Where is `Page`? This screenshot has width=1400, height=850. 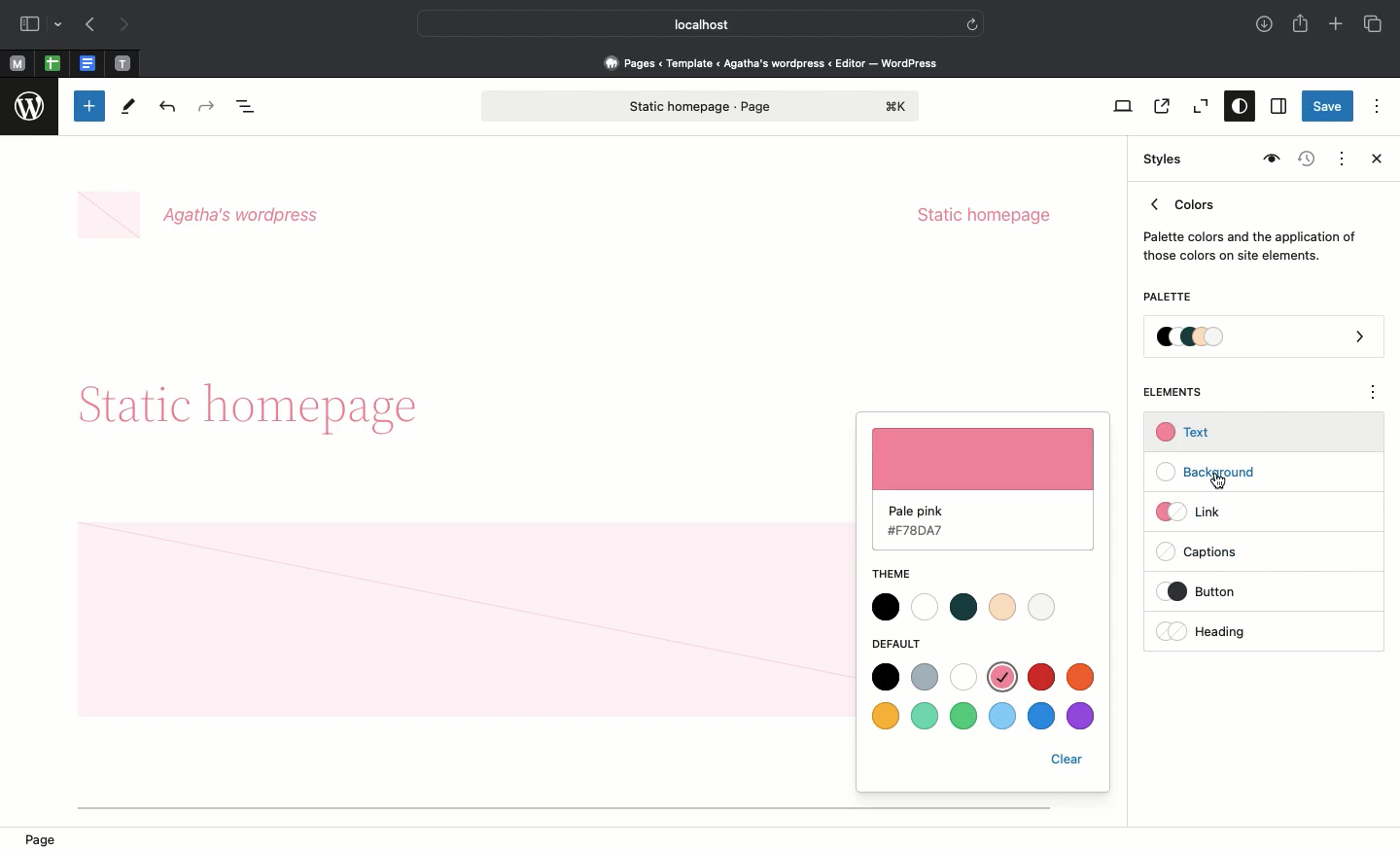
Page is located at coordinates (701, 106).